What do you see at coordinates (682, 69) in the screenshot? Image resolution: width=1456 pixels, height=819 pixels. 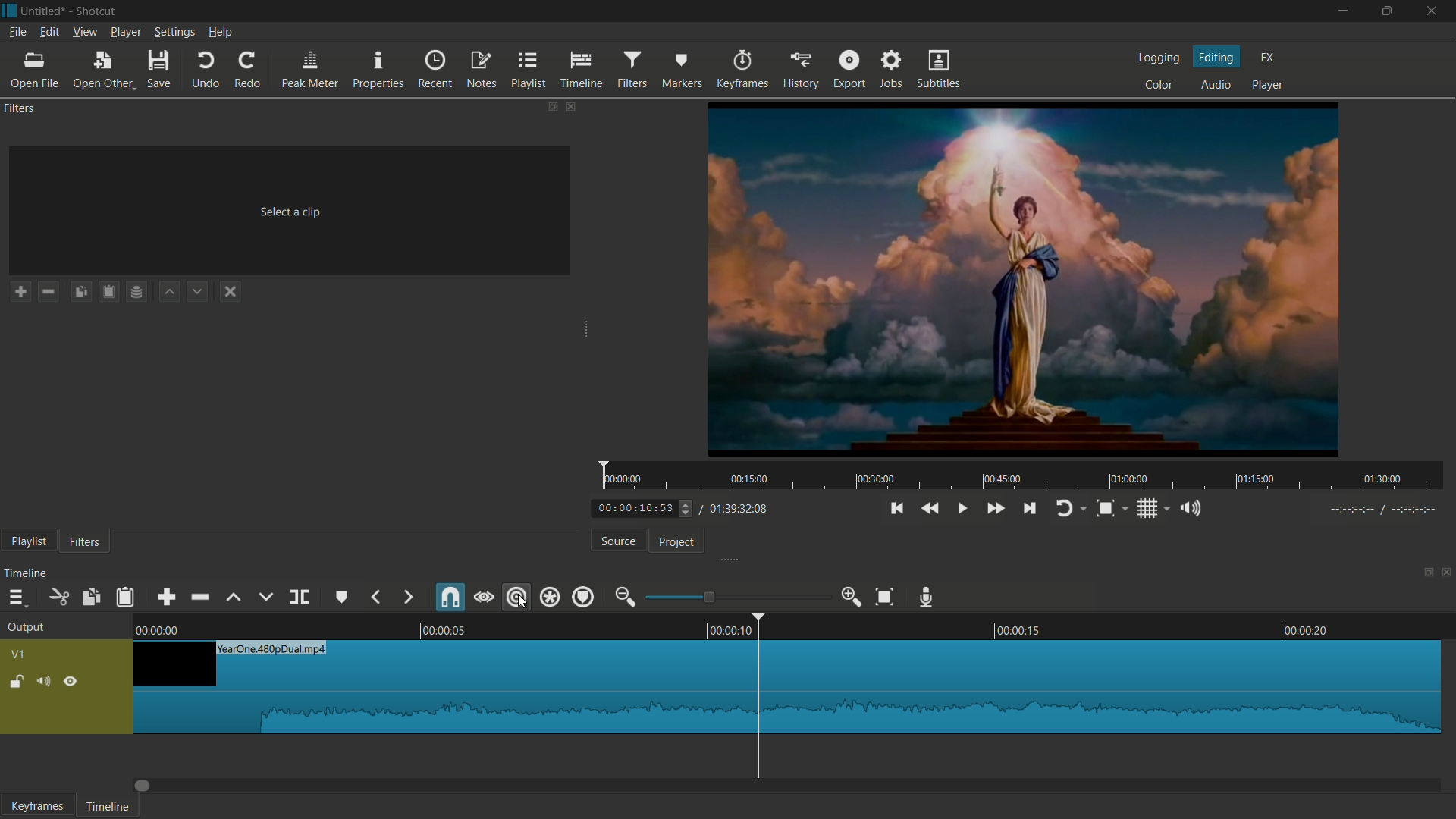 I see `markers` at bounding box center [682, 69].